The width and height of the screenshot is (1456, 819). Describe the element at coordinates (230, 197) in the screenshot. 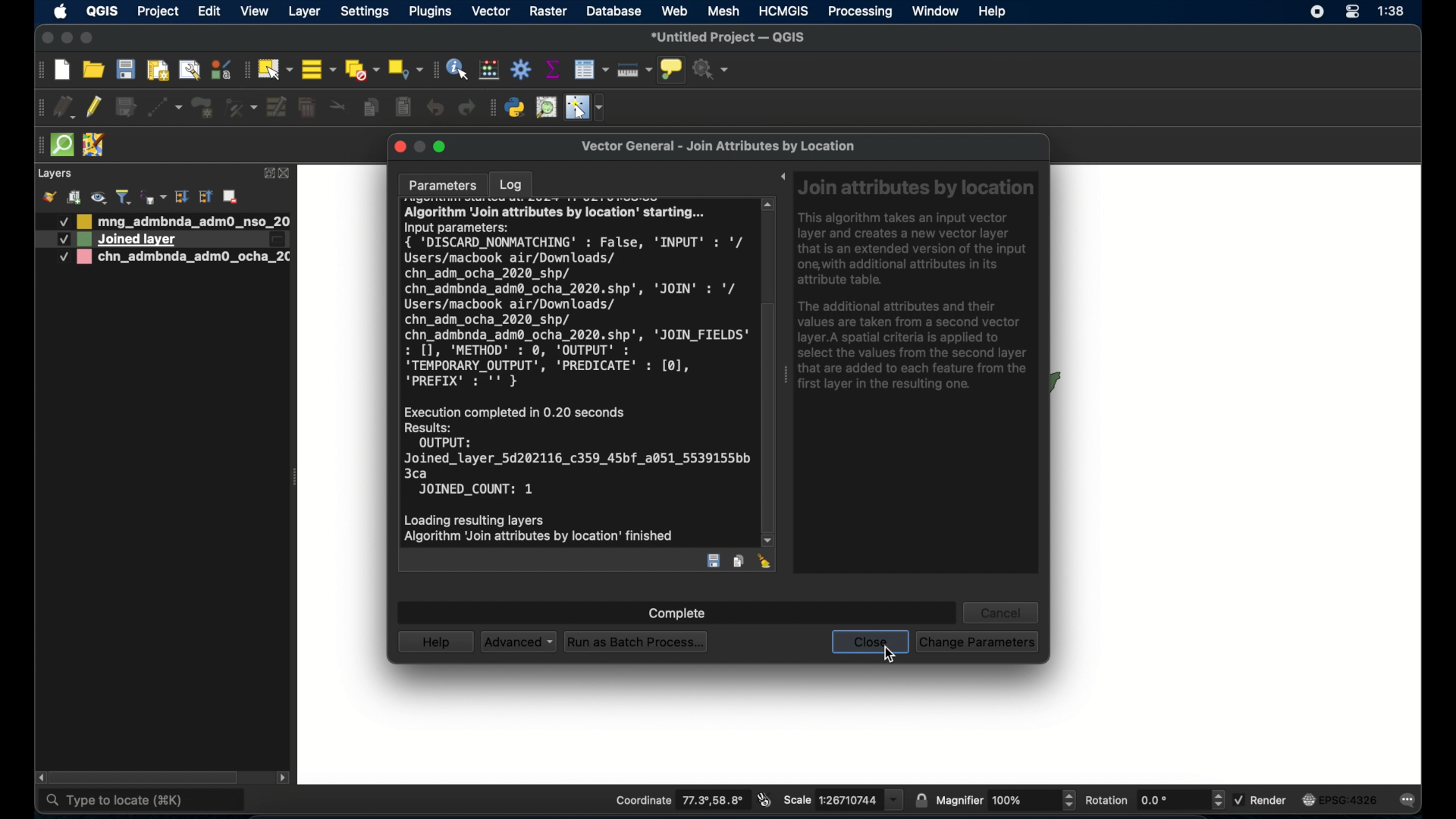

I see `add layer/group` at that location.